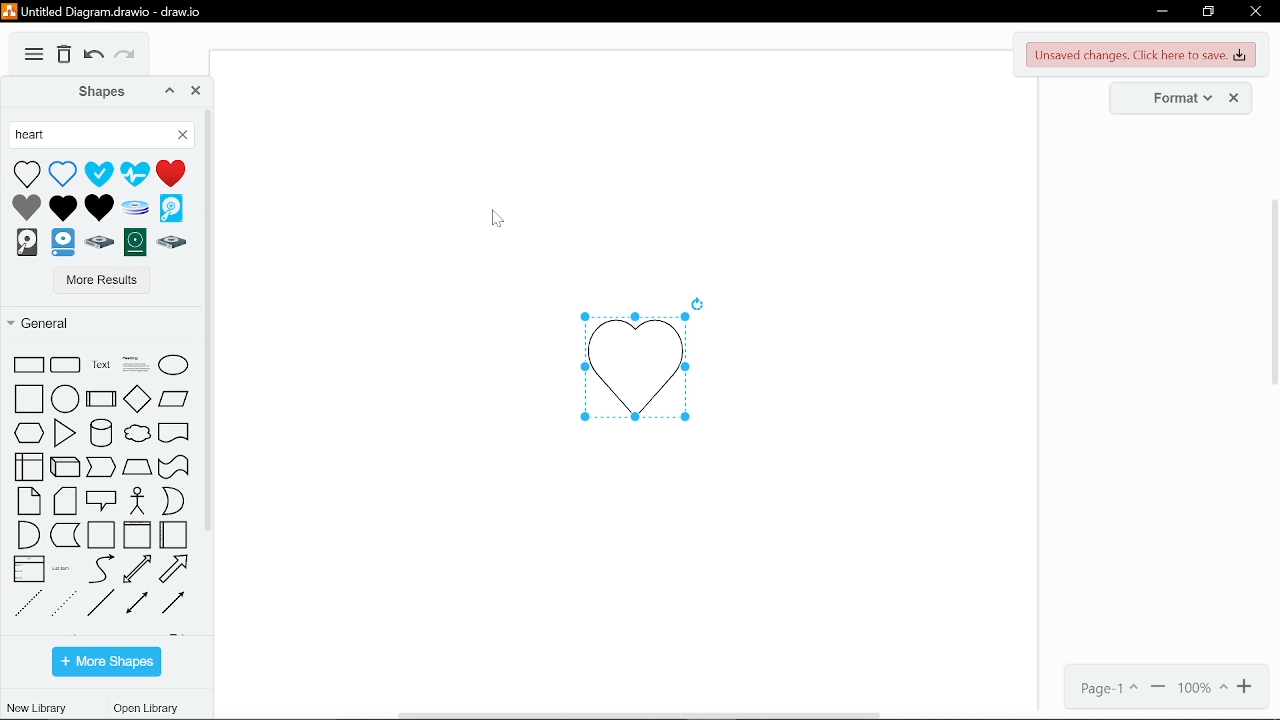  I want to click on heart 2, so click(99, 207).